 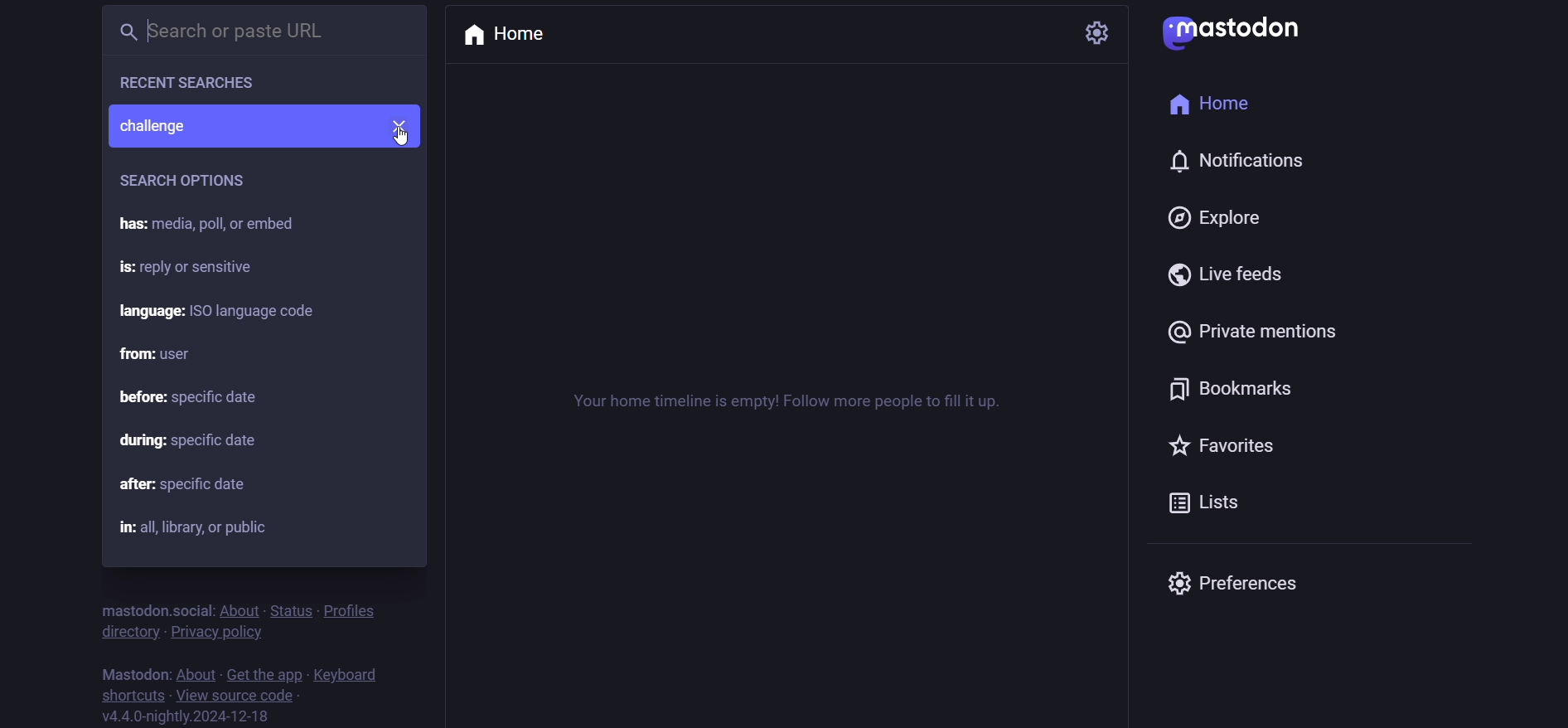 I want to click on after, so click(x=193, y=483).